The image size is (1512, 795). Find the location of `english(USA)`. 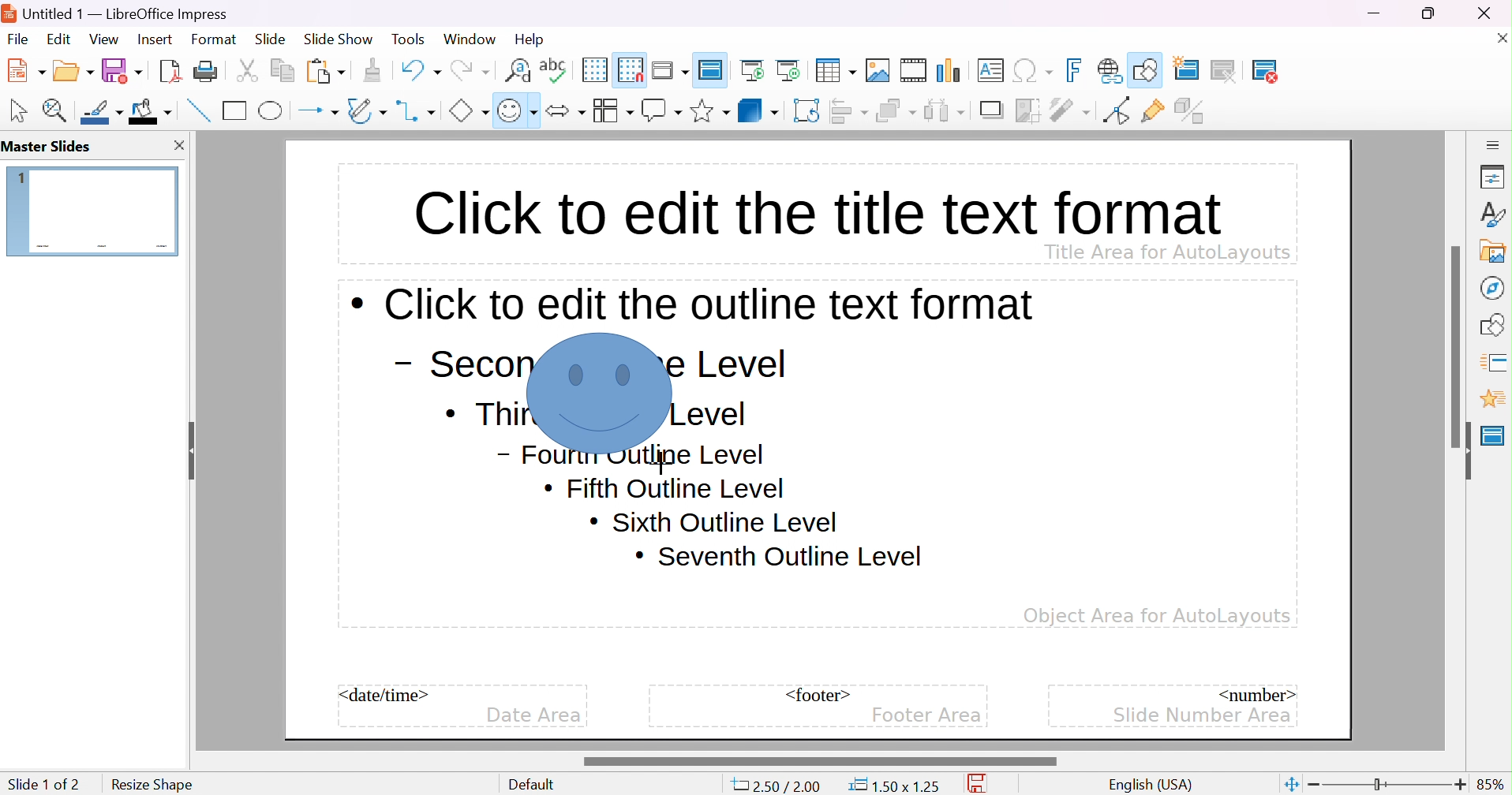

english(USA) is located at coordinates (1151, 785).